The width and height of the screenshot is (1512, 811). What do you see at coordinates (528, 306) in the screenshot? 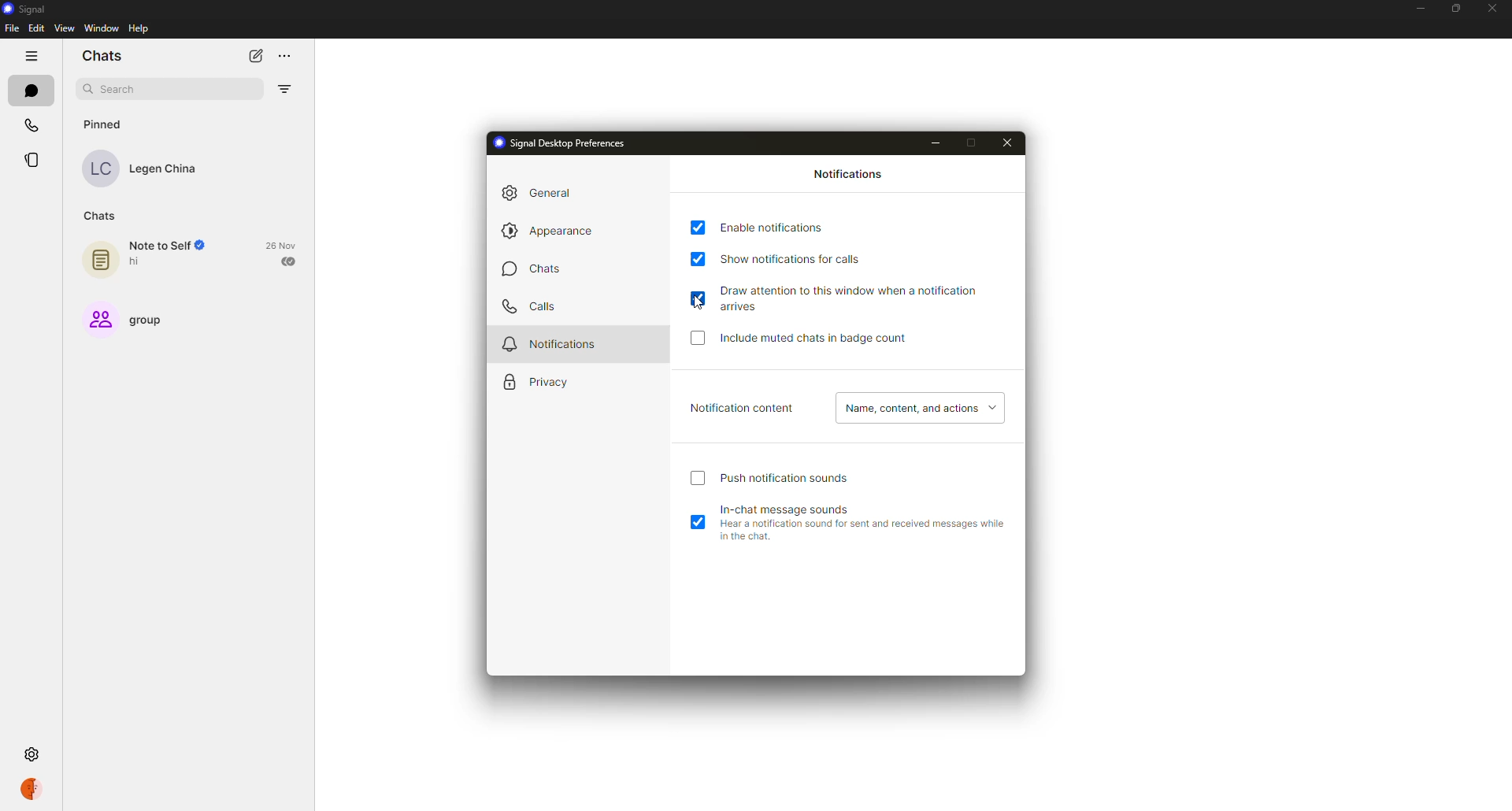
I see `calls` at bounding box center [528, 306].